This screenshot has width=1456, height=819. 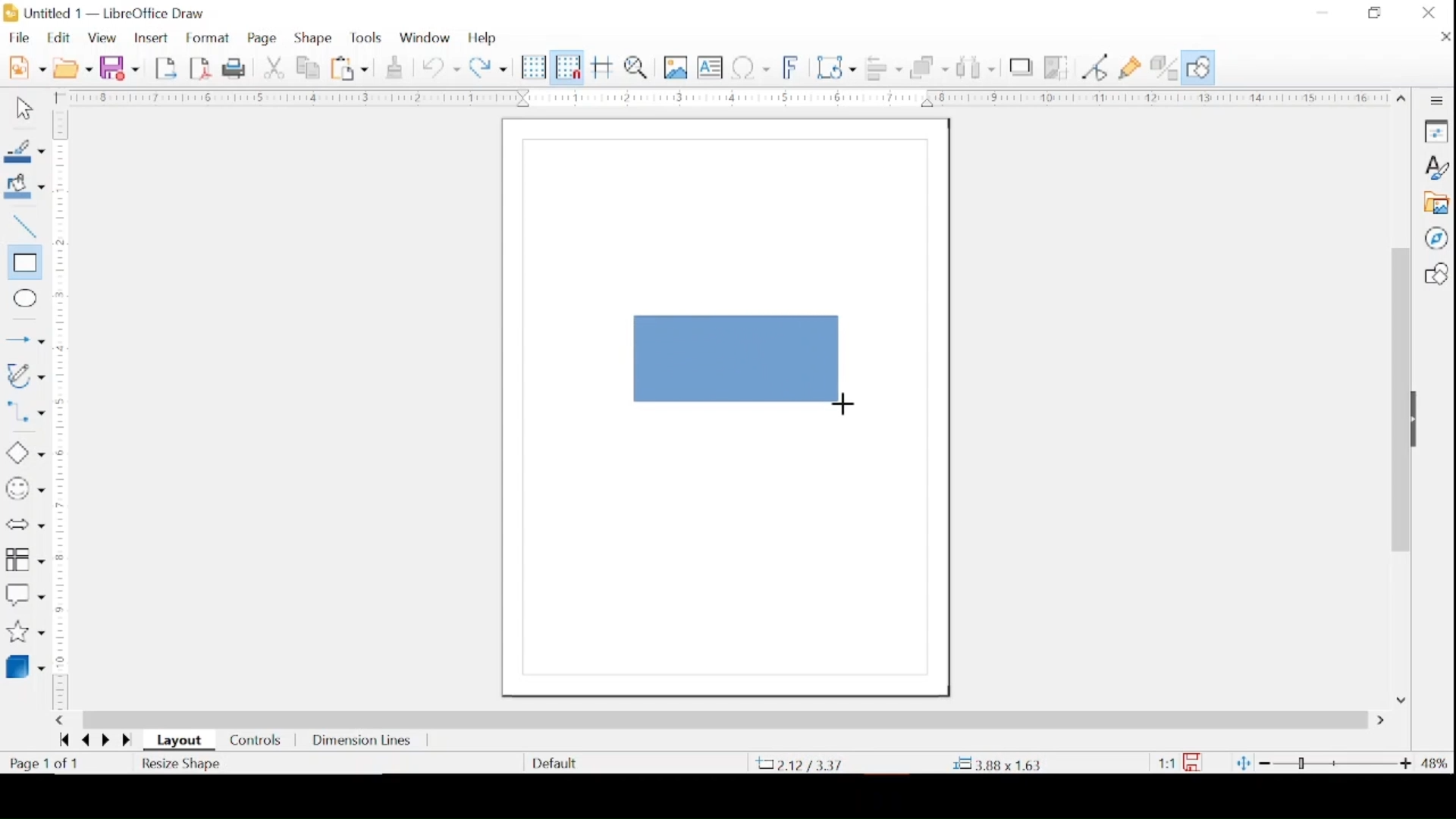 I want to click on scroll up arrow, so click(x=1402, y=96).